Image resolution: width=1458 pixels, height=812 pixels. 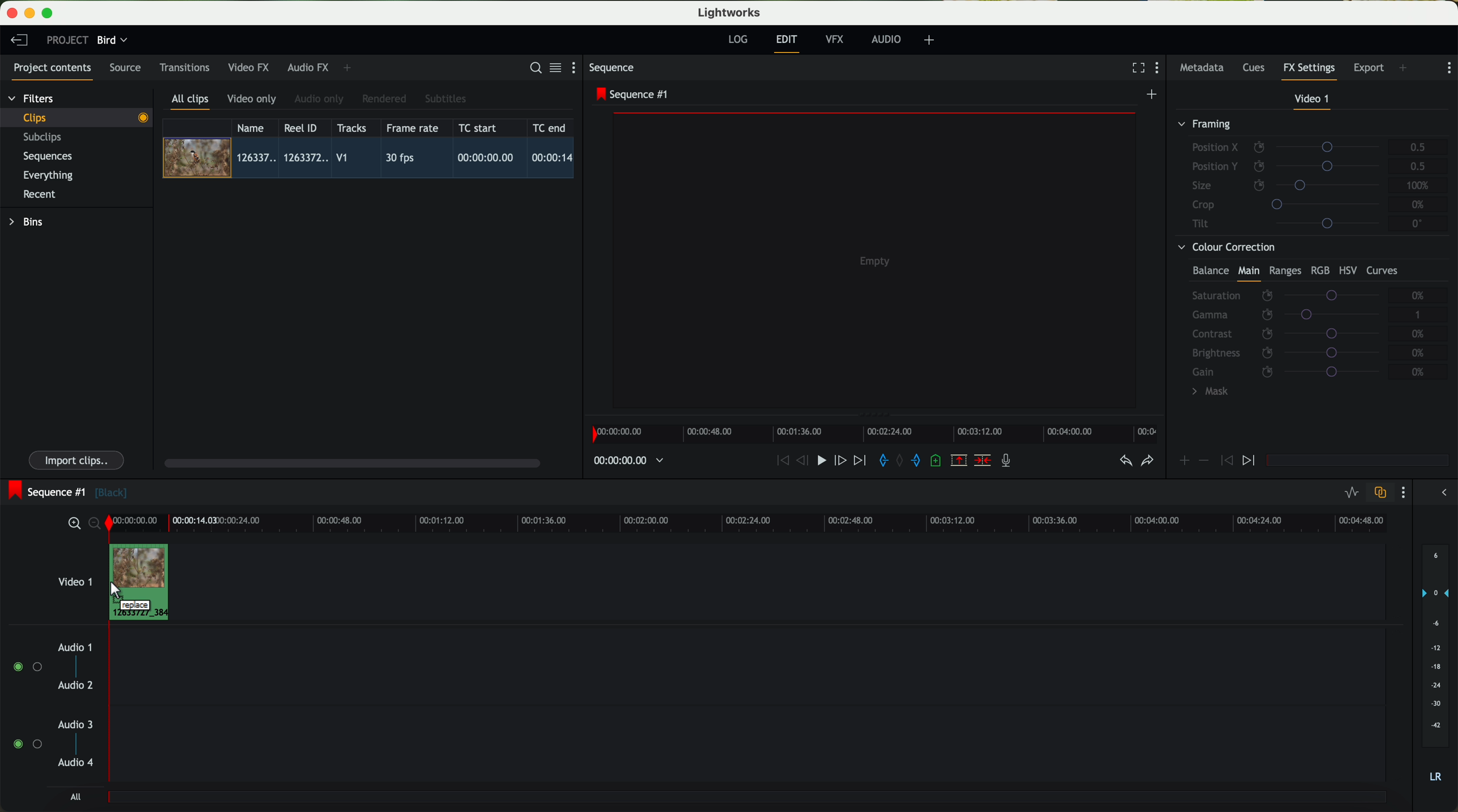 I want to click on gain, so click(x=1293, y=371).